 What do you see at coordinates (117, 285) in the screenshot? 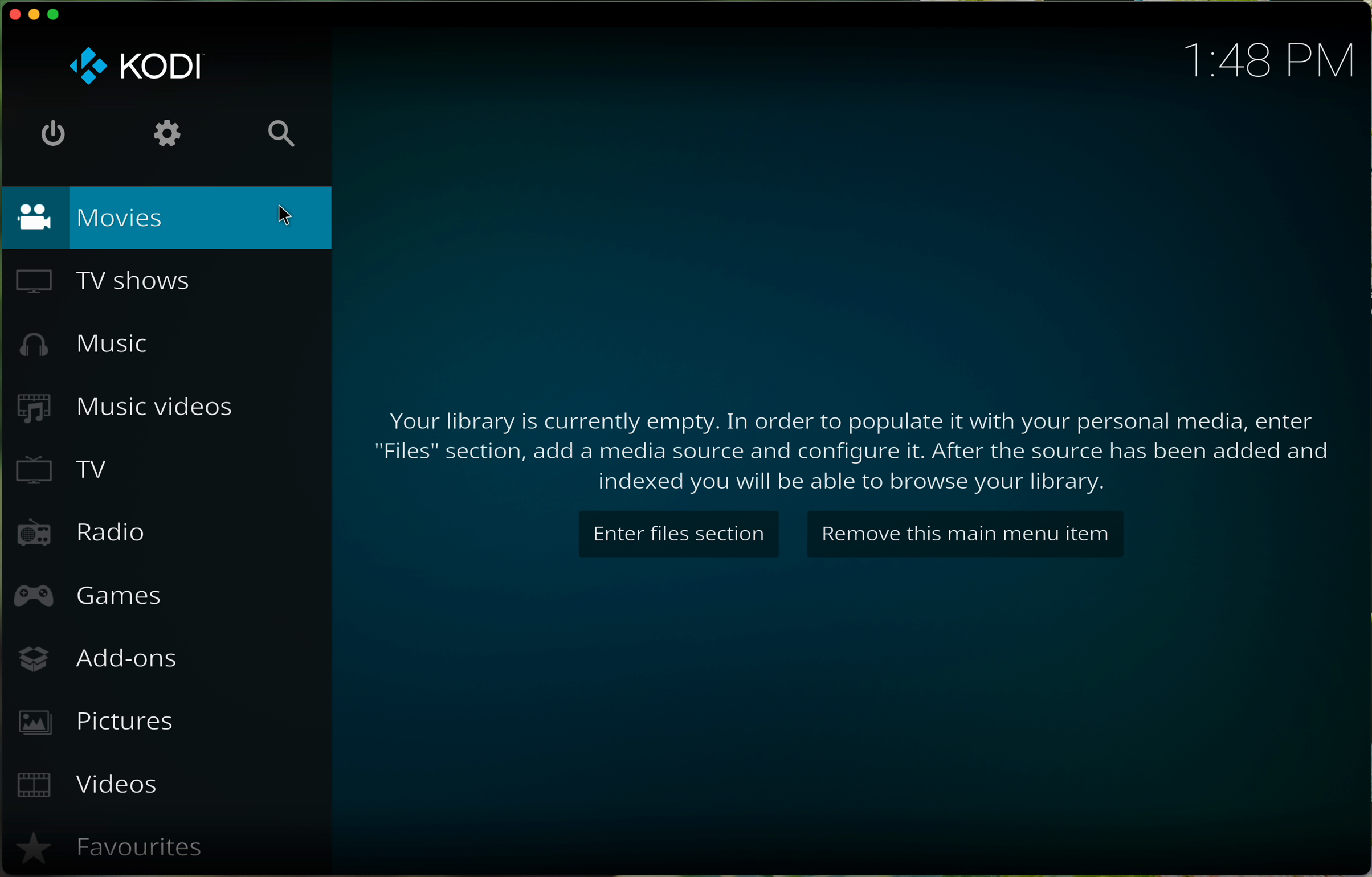
I see `tv shows` at bounding box center [117, 285].